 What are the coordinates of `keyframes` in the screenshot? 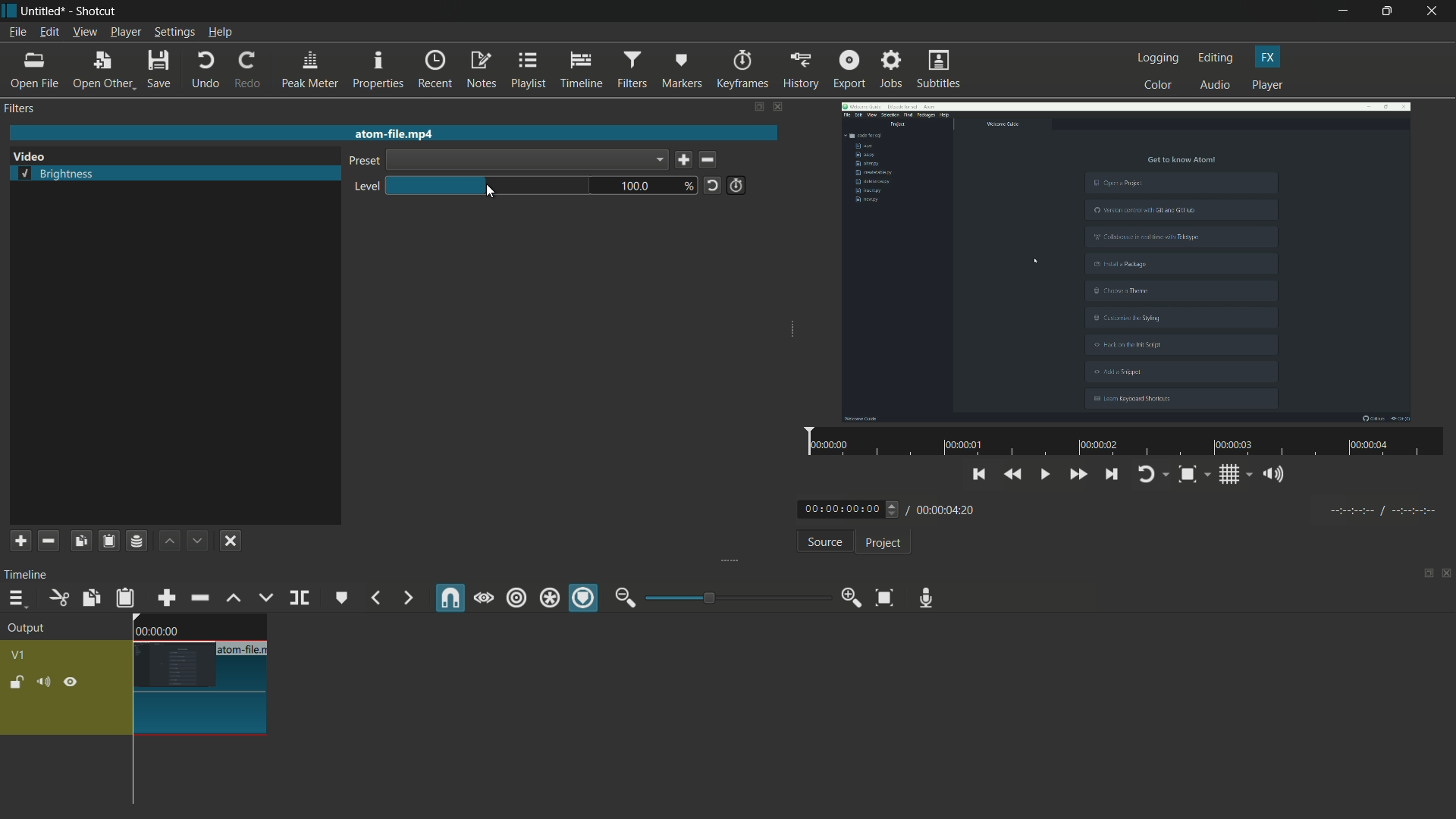 It's located at (742, 70).